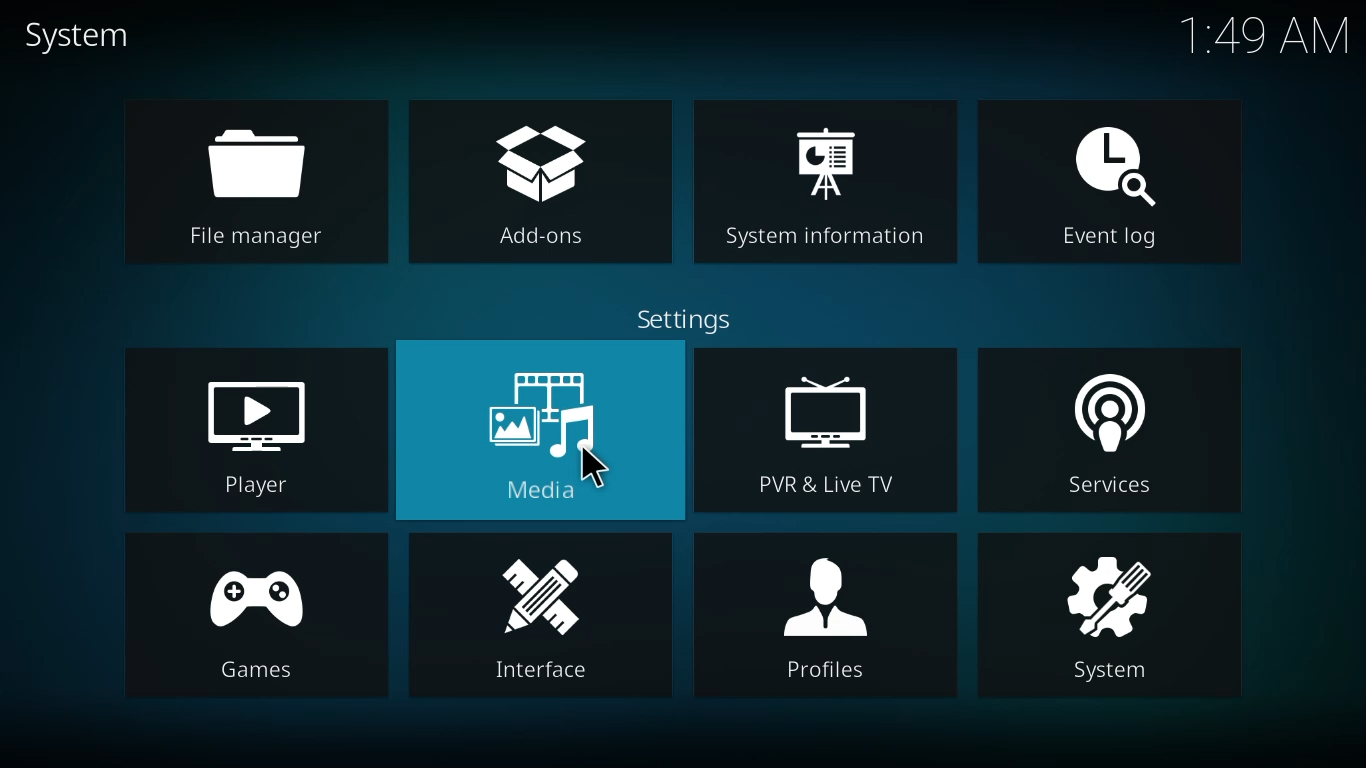 The image size is (1366, 768). I want to click on pvr & live tv, so click(824, 432).